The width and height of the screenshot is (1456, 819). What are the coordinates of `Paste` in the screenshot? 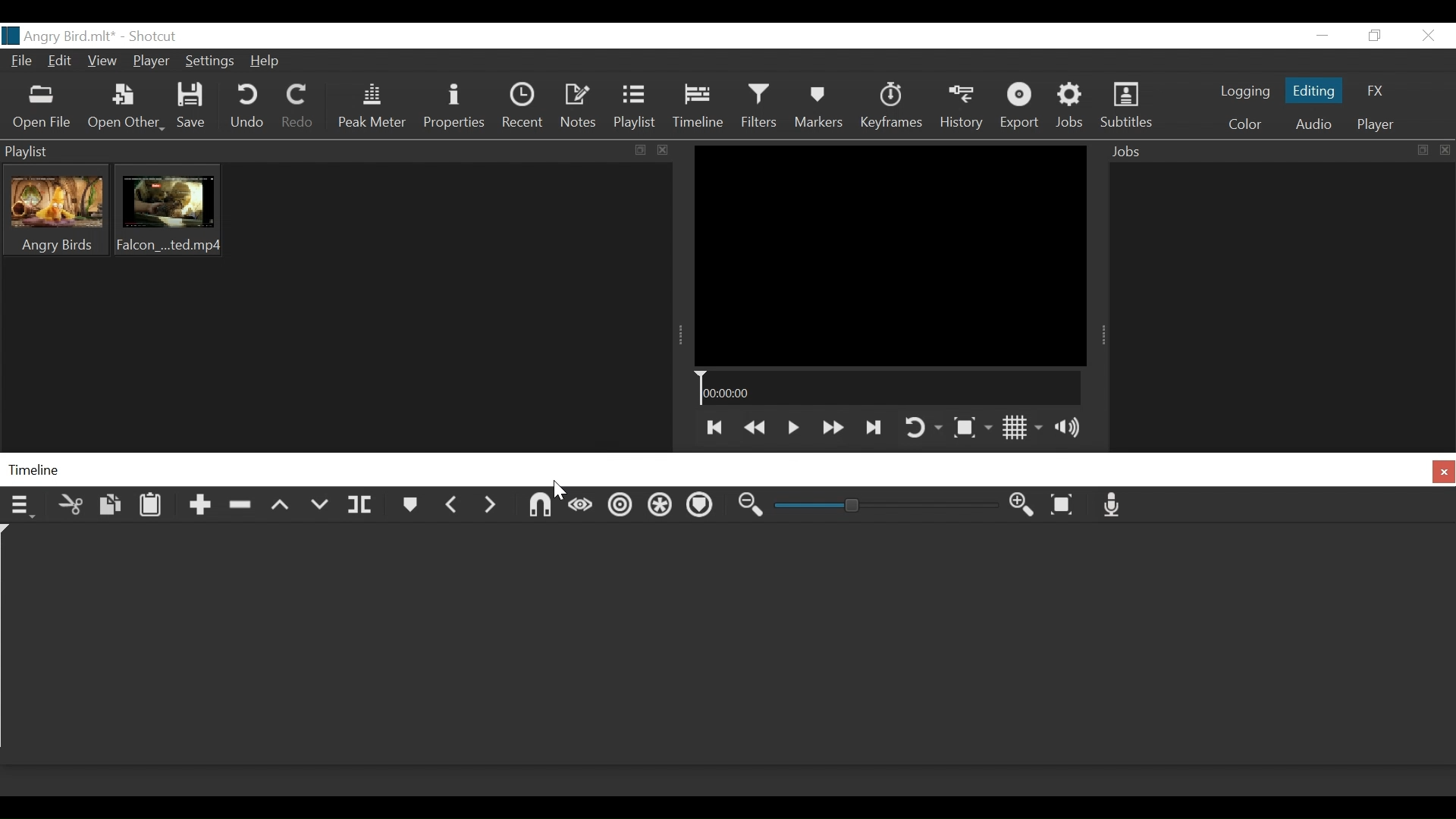 It's located at (155, 508).